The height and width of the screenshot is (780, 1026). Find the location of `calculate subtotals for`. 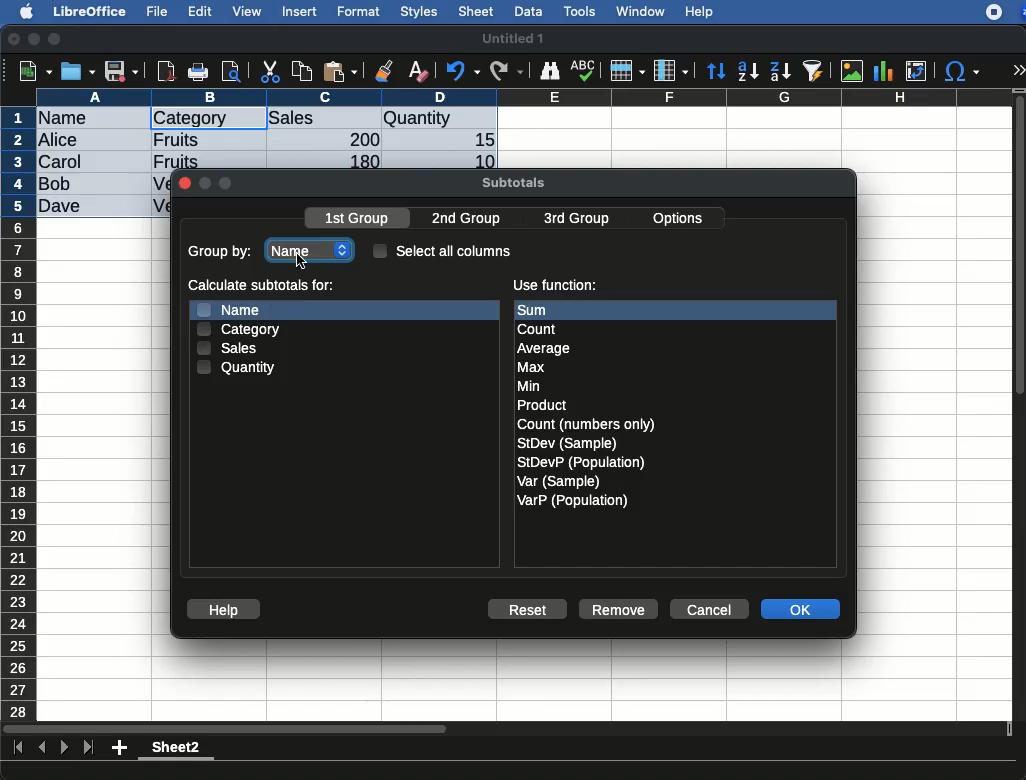

calculate subtotals for is located at coordinates (262, 285).